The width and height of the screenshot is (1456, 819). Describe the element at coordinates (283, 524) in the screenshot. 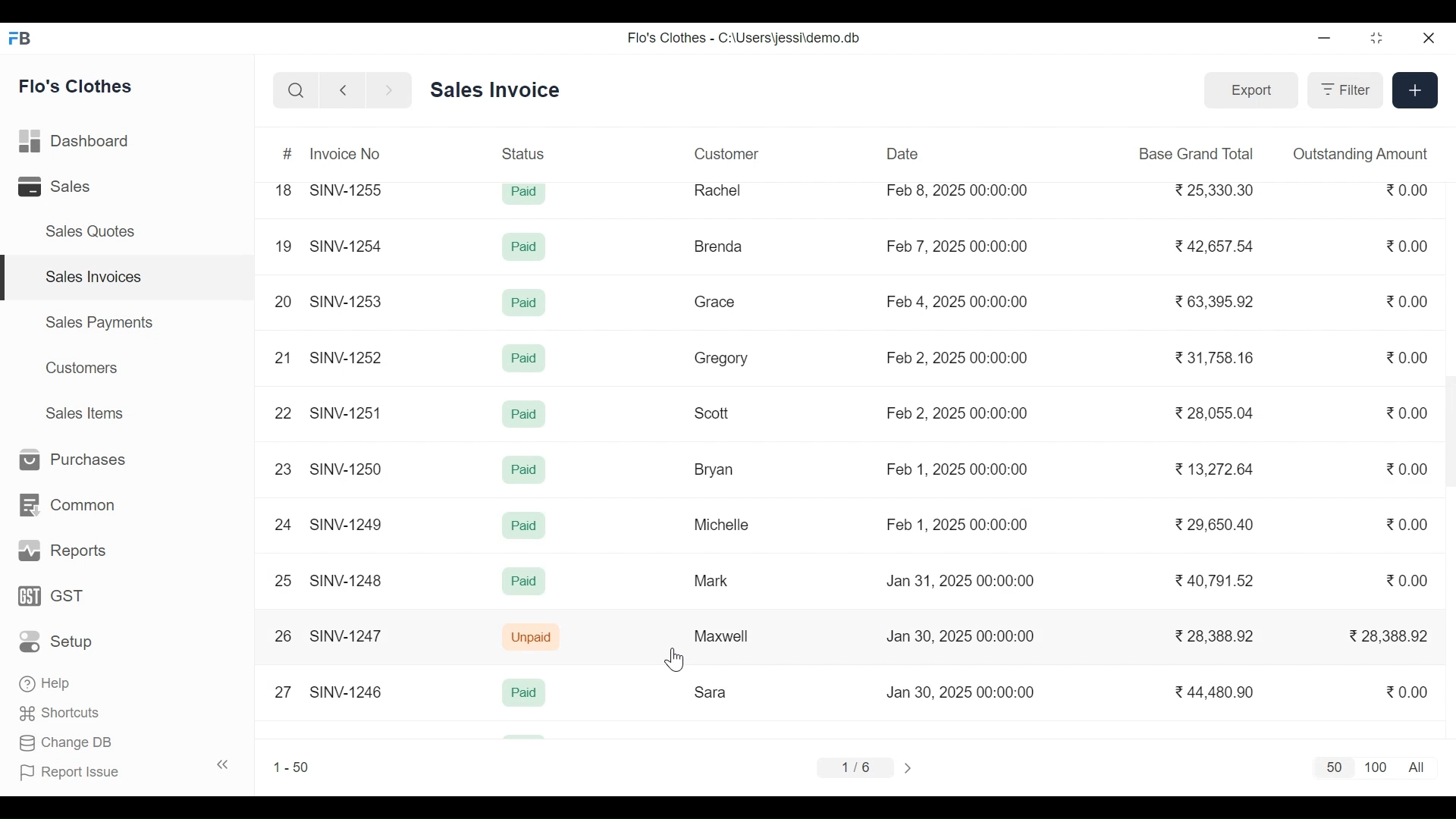

I see `24` at that location.